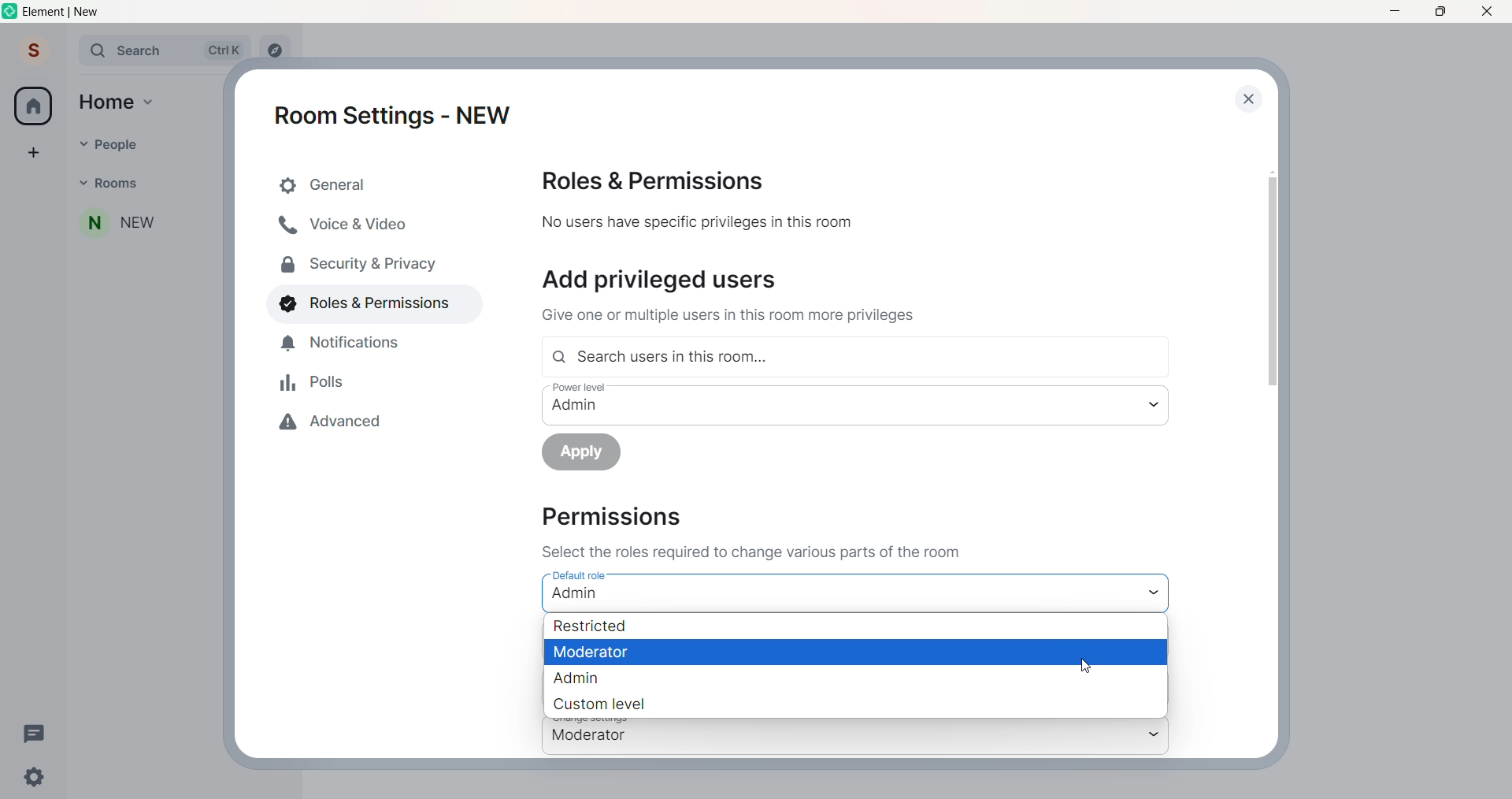 The width and height of the screenshot is (1512, 799). Describe the element at coordinates (365, 303) in the screenshot. I see `roles and permissions` at that location.